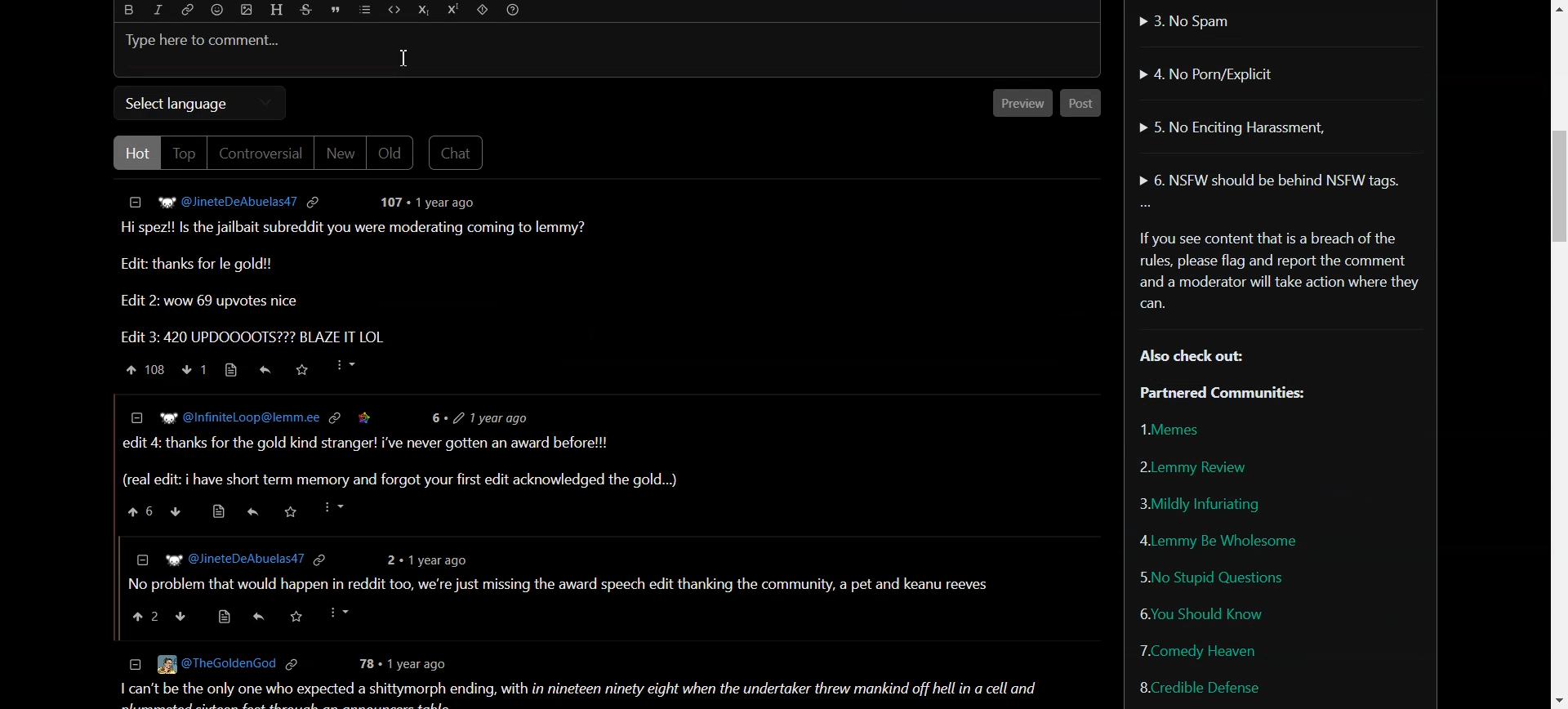  What do you see at coordinates (1201, 467) in the screenshot?
I see `Lemmy Review` at bounding box center [1201, 467].